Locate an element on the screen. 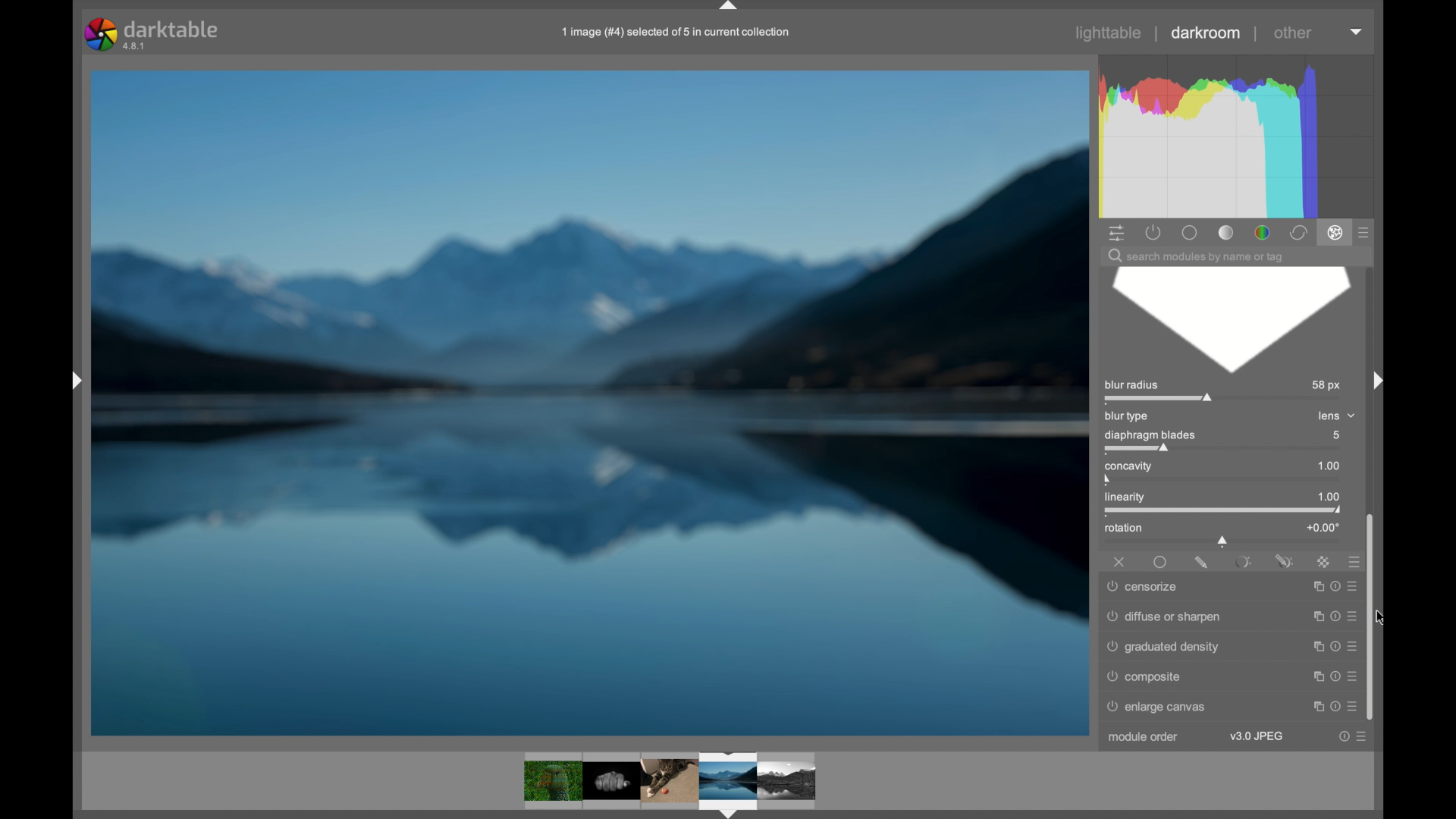 The image size is (1456, 819). v3.0jpeg is located at coordinates (1256, 736).